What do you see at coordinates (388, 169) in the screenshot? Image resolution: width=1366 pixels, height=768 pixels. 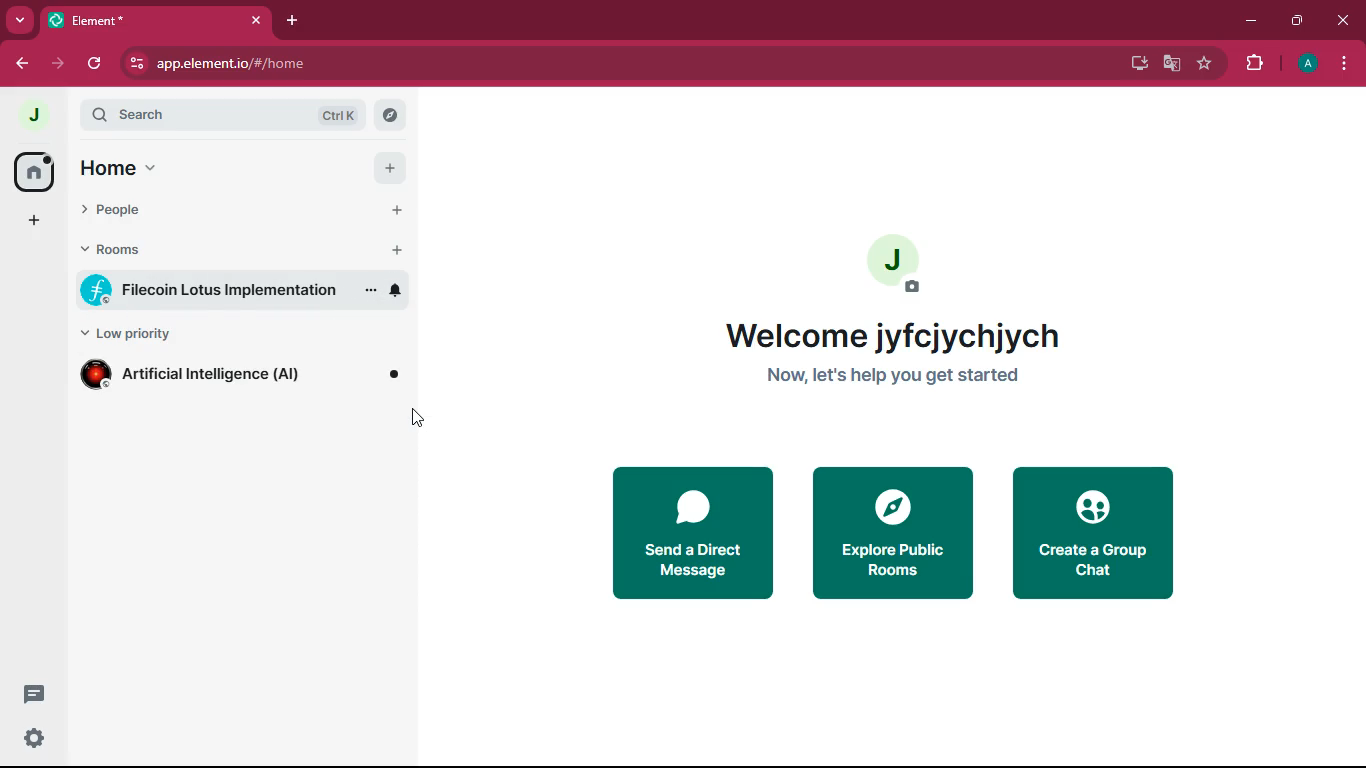 I see `add` at bounding box center [388, 169].